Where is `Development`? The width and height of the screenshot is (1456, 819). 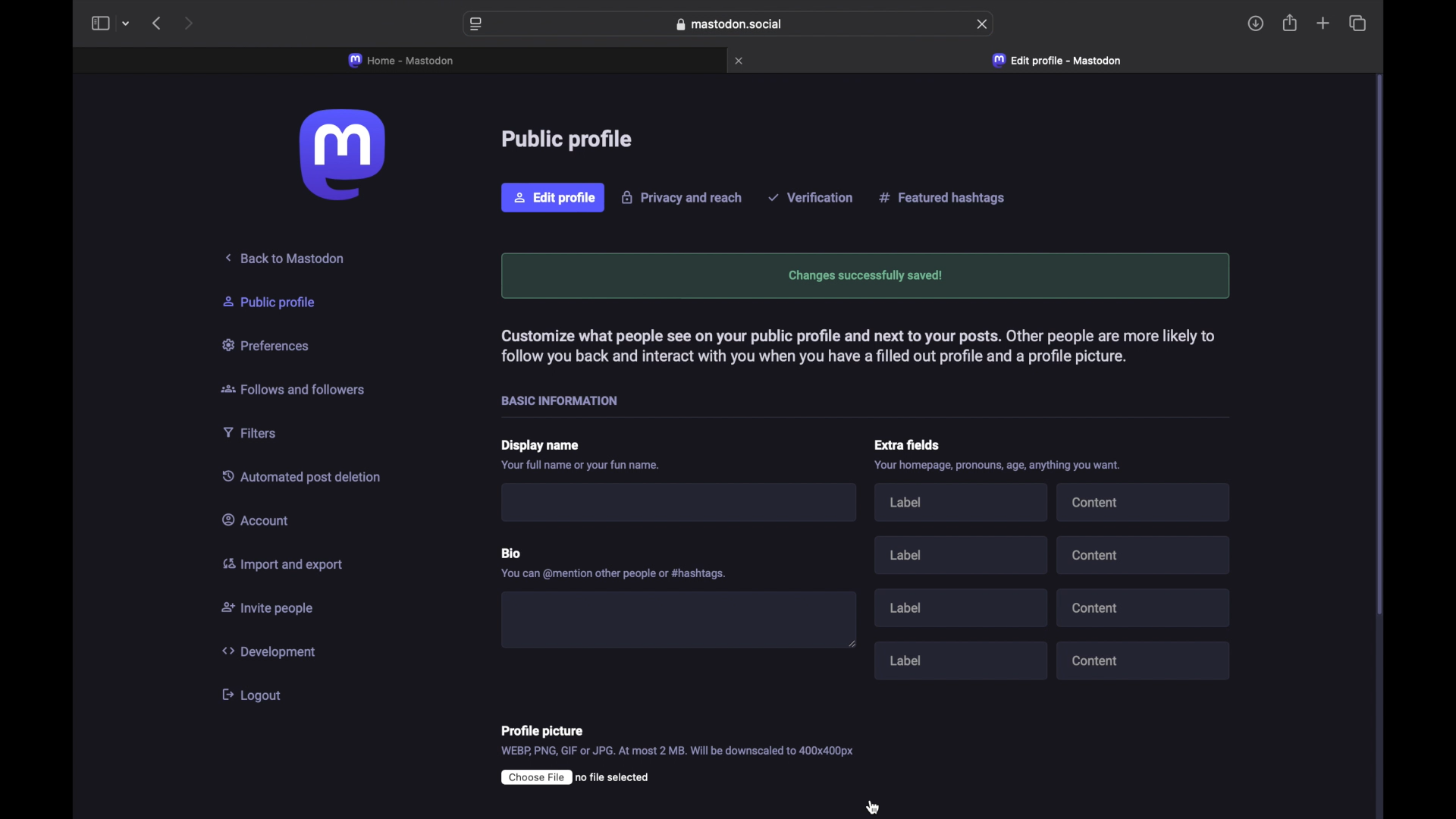 Development is located at coordinates (263, 652).